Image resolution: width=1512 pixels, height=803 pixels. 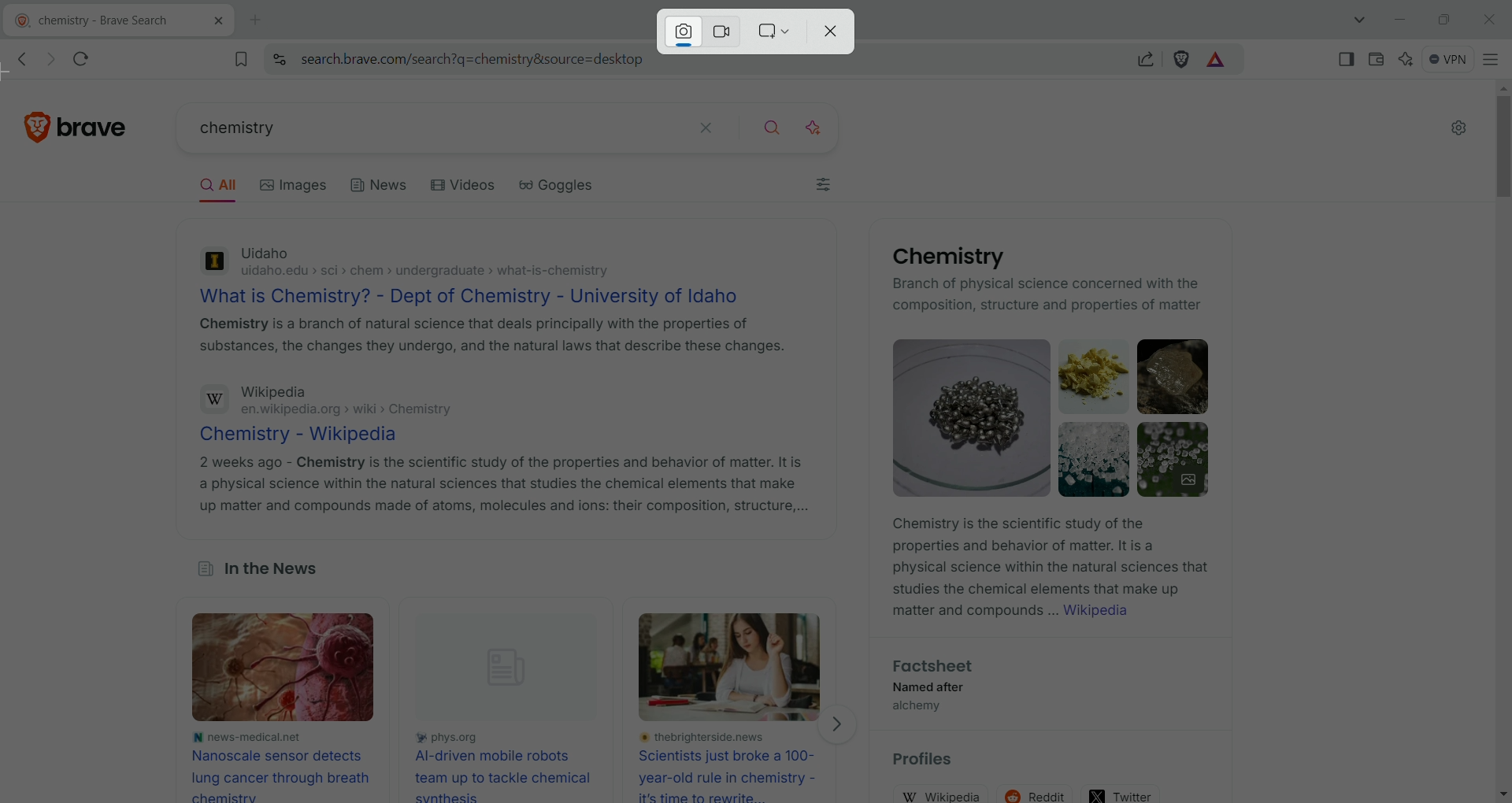 What do you see at coordinates (1373, 57) in the screenshot?
I see `wallet` at bounding box center [1373, 57].